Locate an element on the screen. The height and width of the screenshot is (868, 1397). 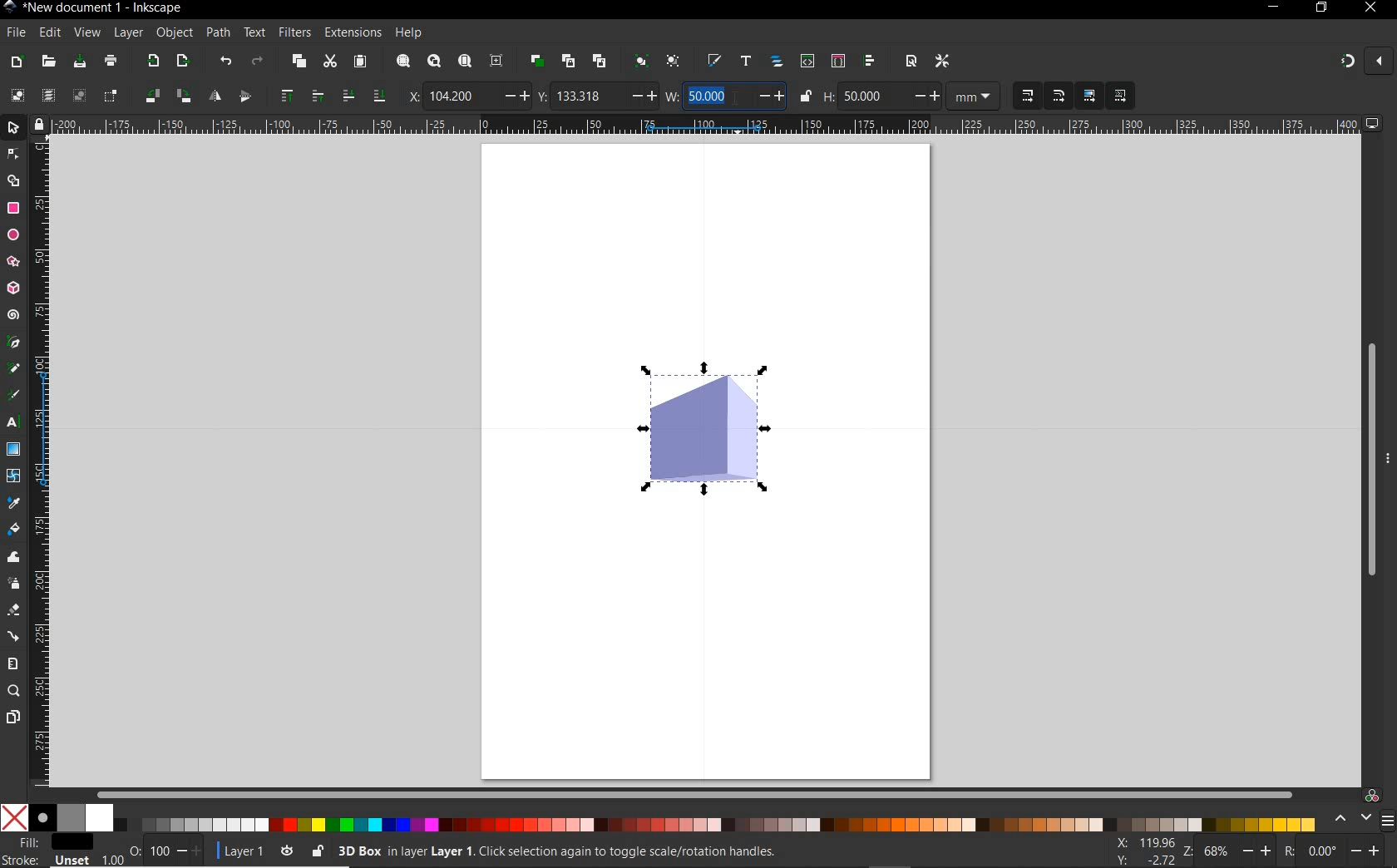
zoom selection is located at coordinates (402, 61).